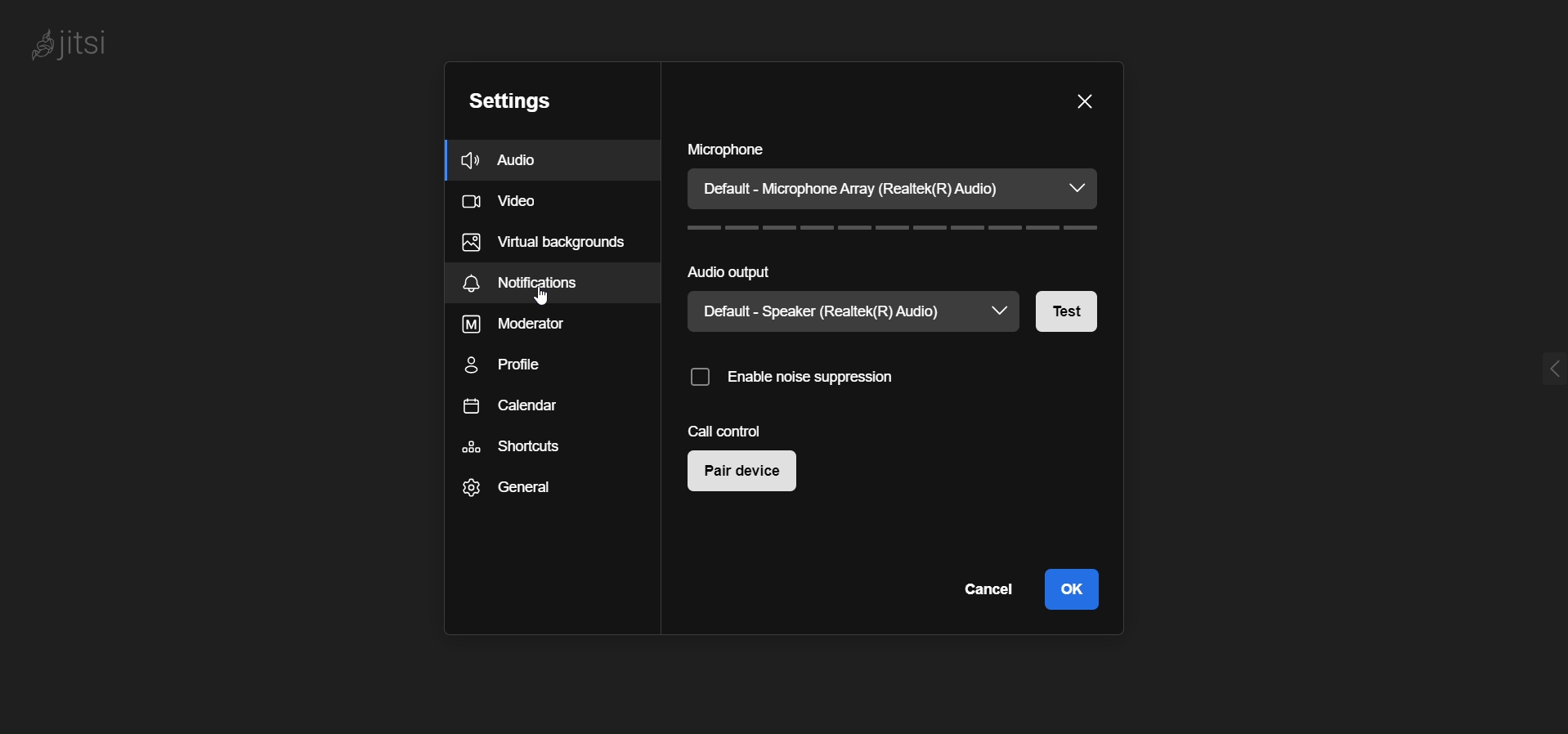  Describe the element at coordinates (553, 242) in the screenshot. I see `virtual backgrounds` at that location.